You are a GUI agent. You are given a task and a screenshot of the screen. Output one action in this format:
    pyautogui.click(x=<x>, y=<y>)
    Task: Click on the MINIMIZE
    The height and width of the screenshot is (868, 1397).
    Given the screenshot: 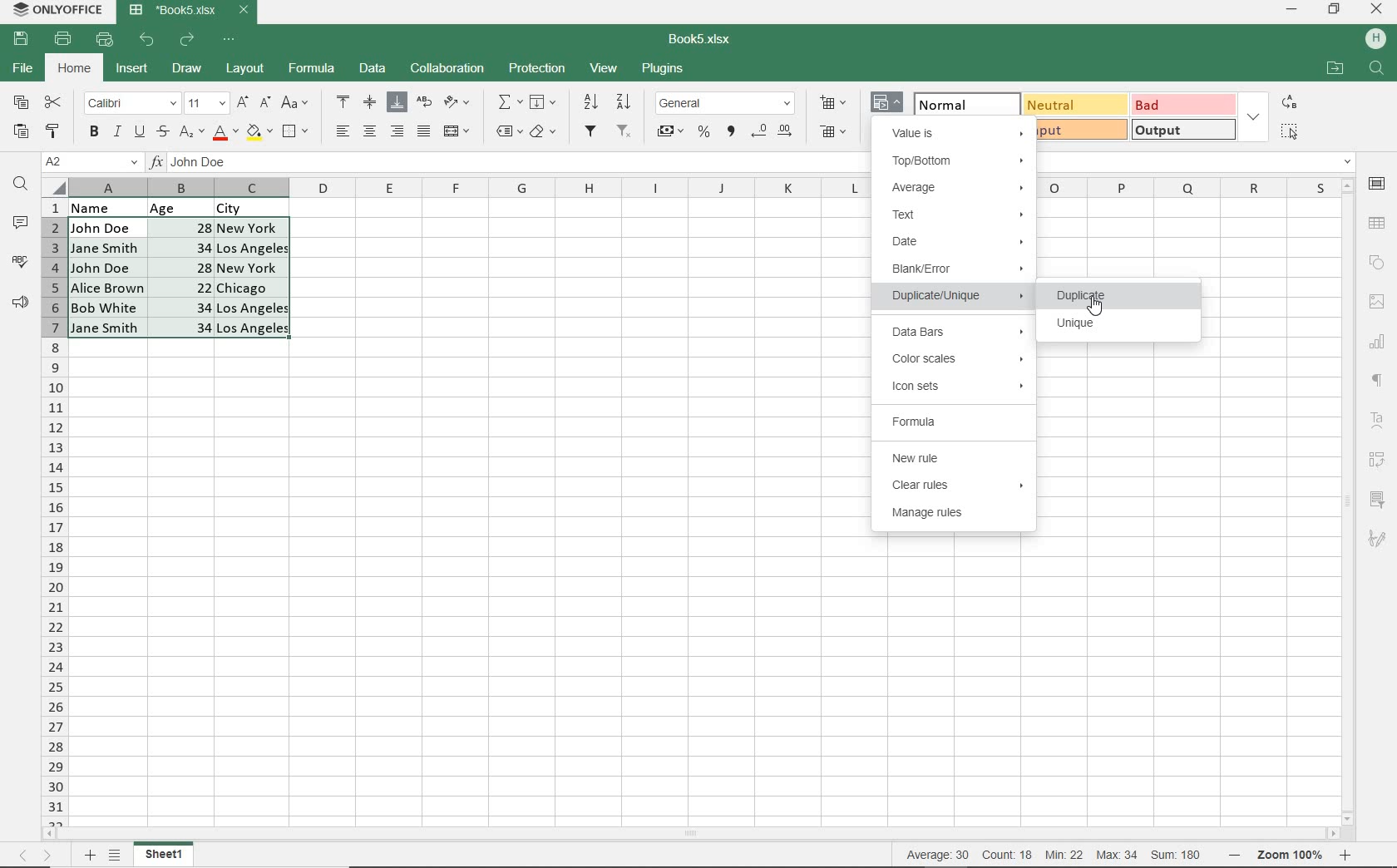 What is the action you would take?
    pyautogui.click(x=1293, y=10)
    